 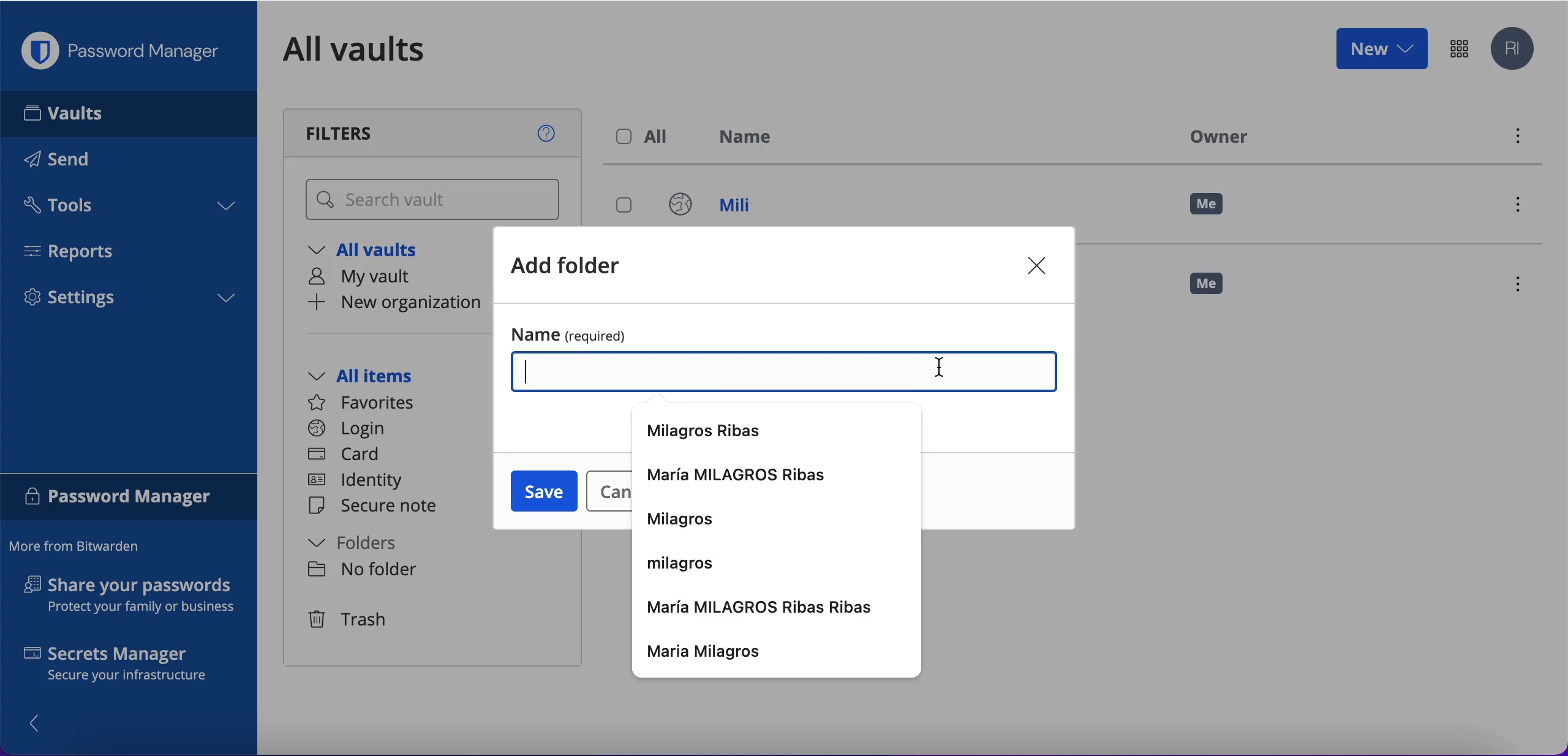 What do you see at coordinates (127, 209) in the screenshot?
I see `tools` at bounding box center [127, 209].